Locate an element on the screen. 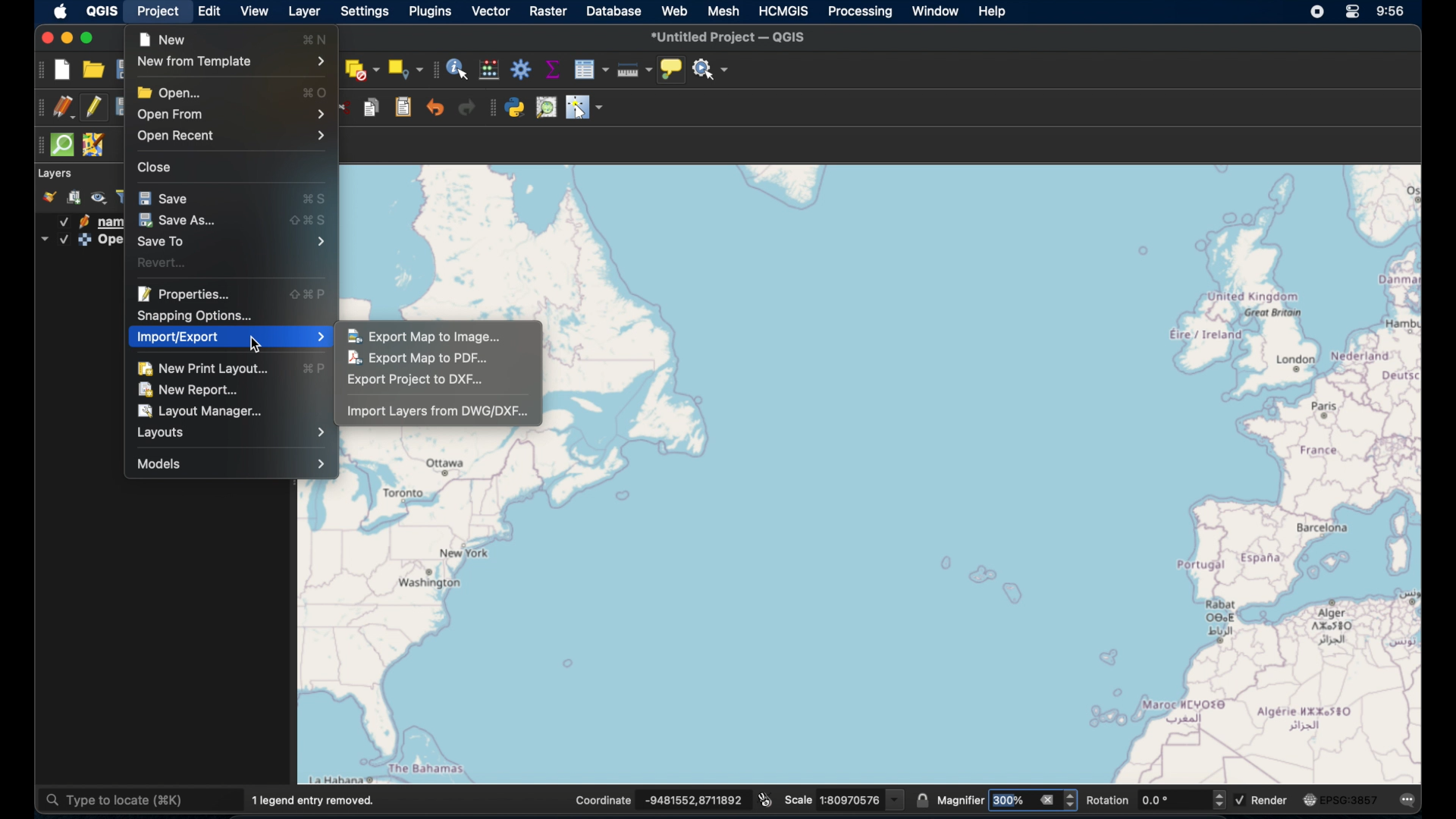 The height and width of the screenshot is (819, 1456). vector is located at coordinates (491, 12).